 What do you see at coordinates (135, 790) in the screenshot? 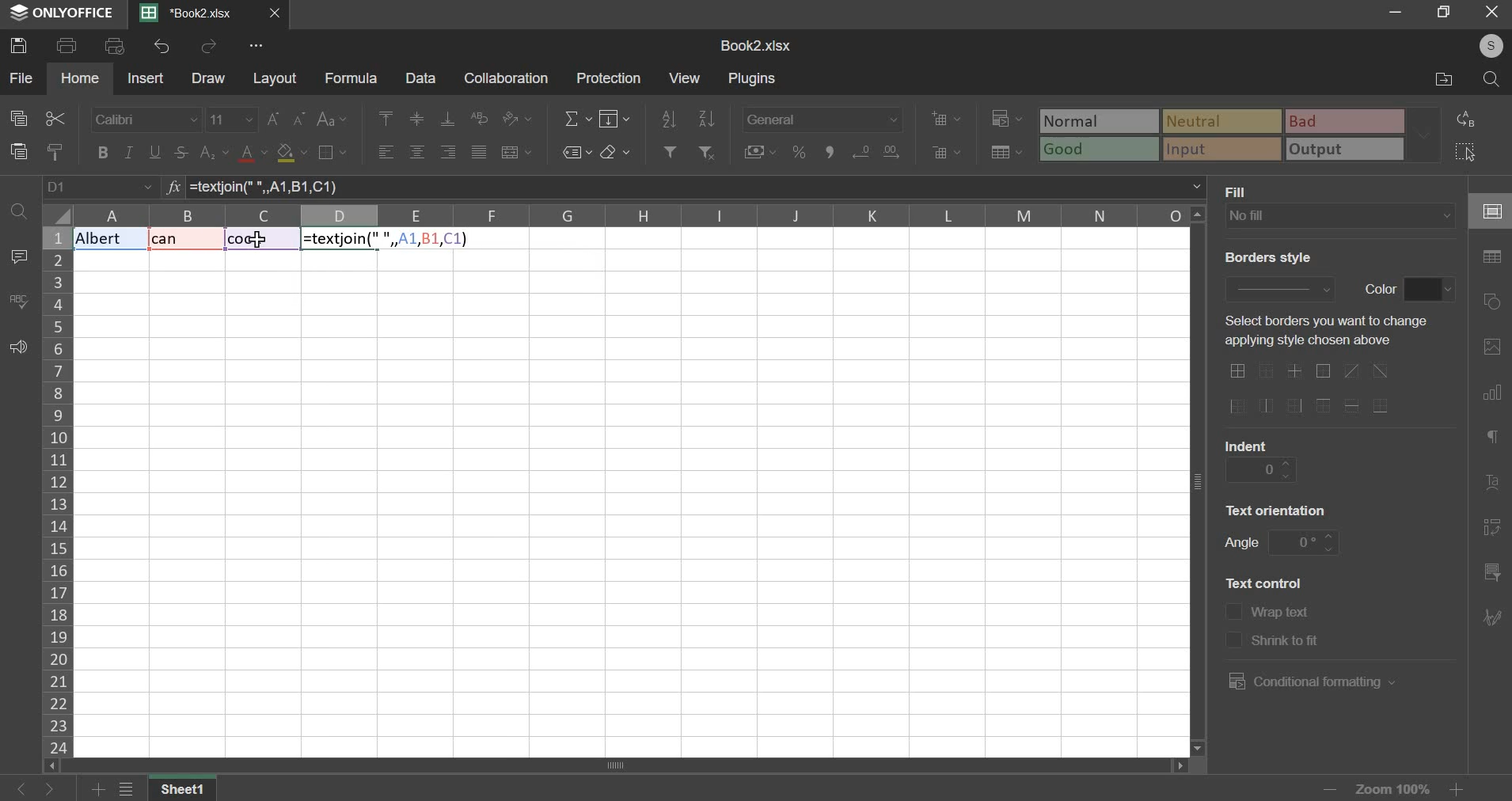
I see `view all sheets` at bounding box center [135, 790].